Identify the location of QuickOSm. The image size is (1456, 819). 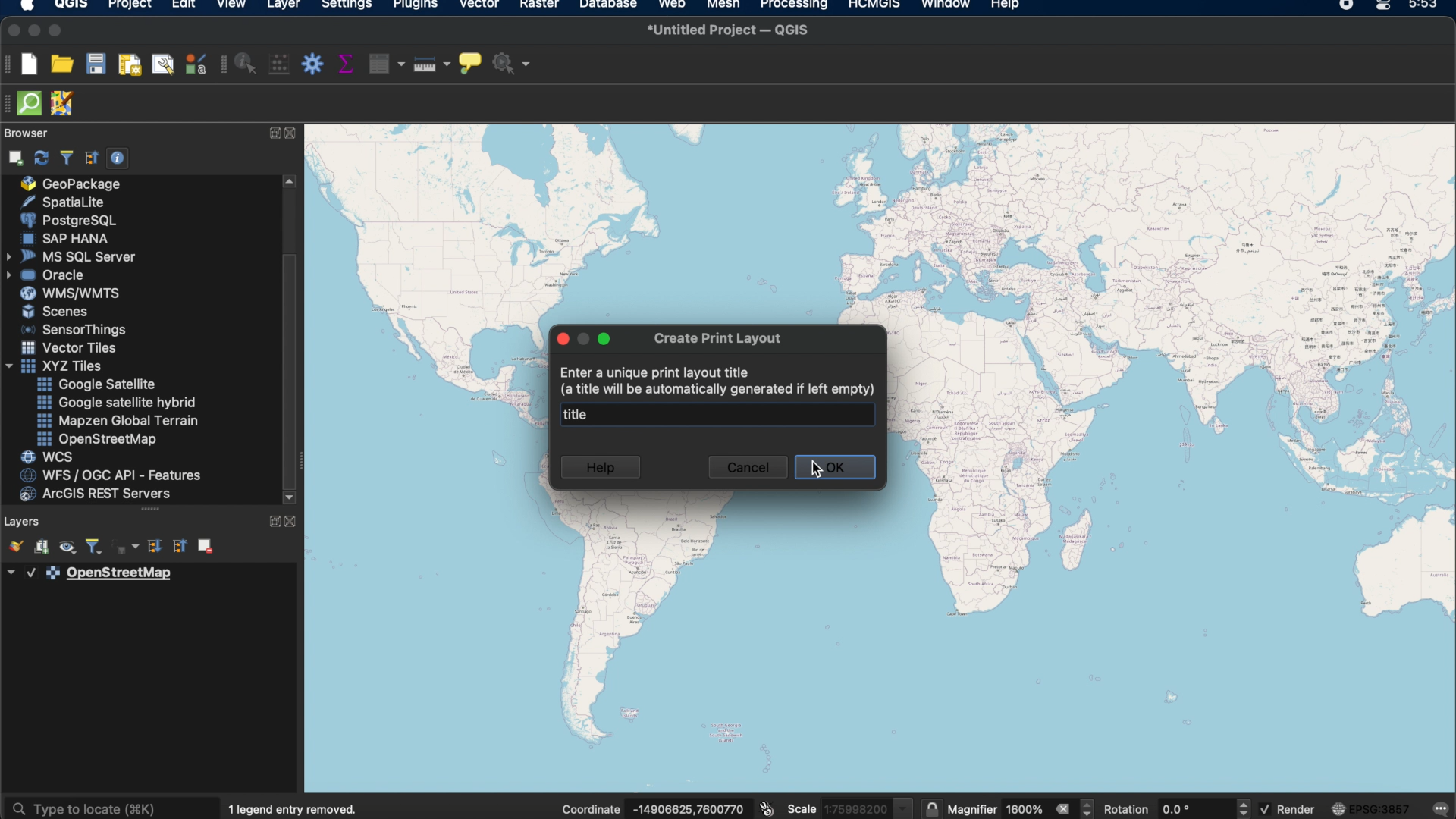
(33, 105).